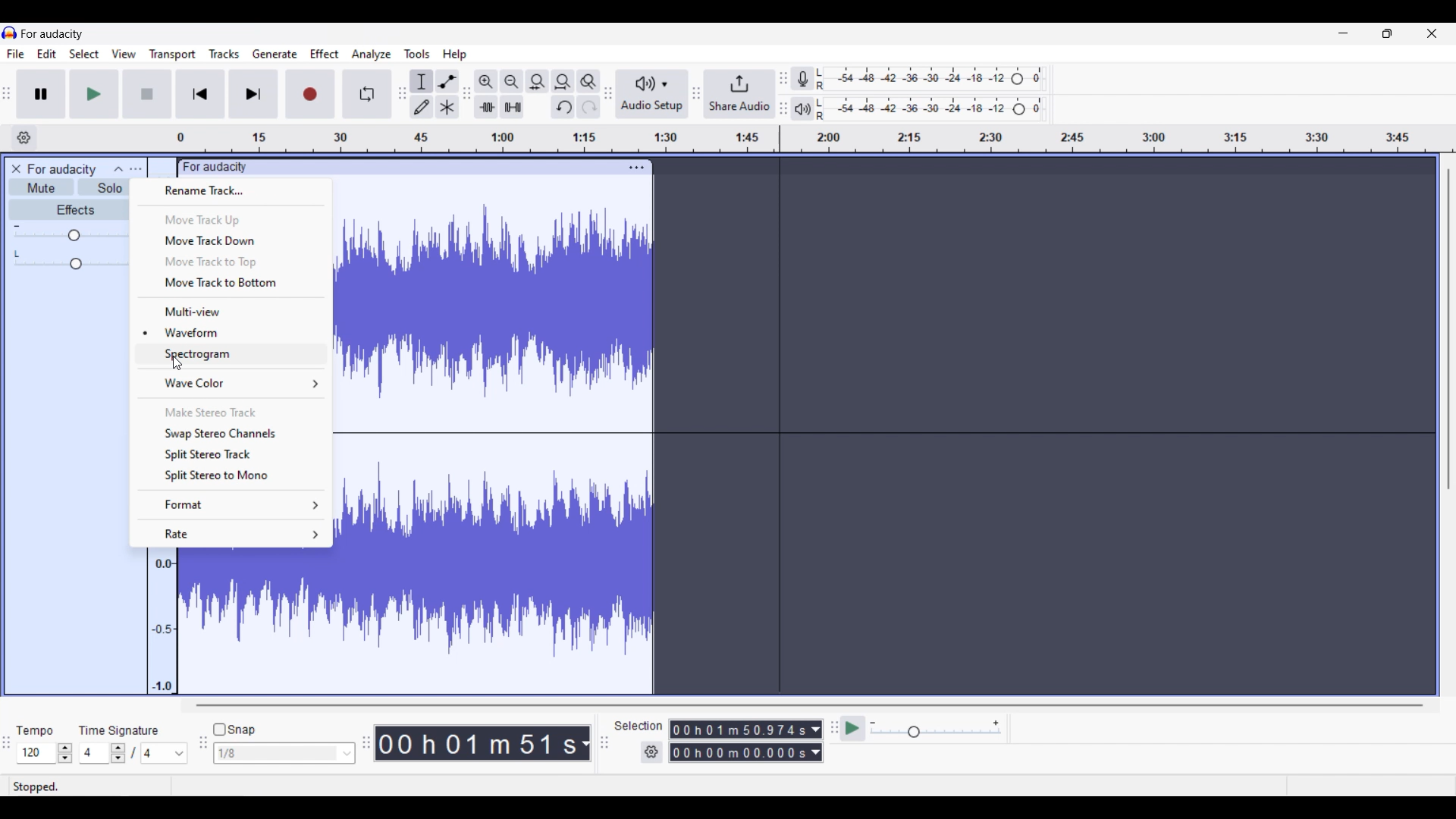 The image size is (1456, 819). Describe the element at coordinates (455, 55) in the screenshot. I see `Help menu` at that location.